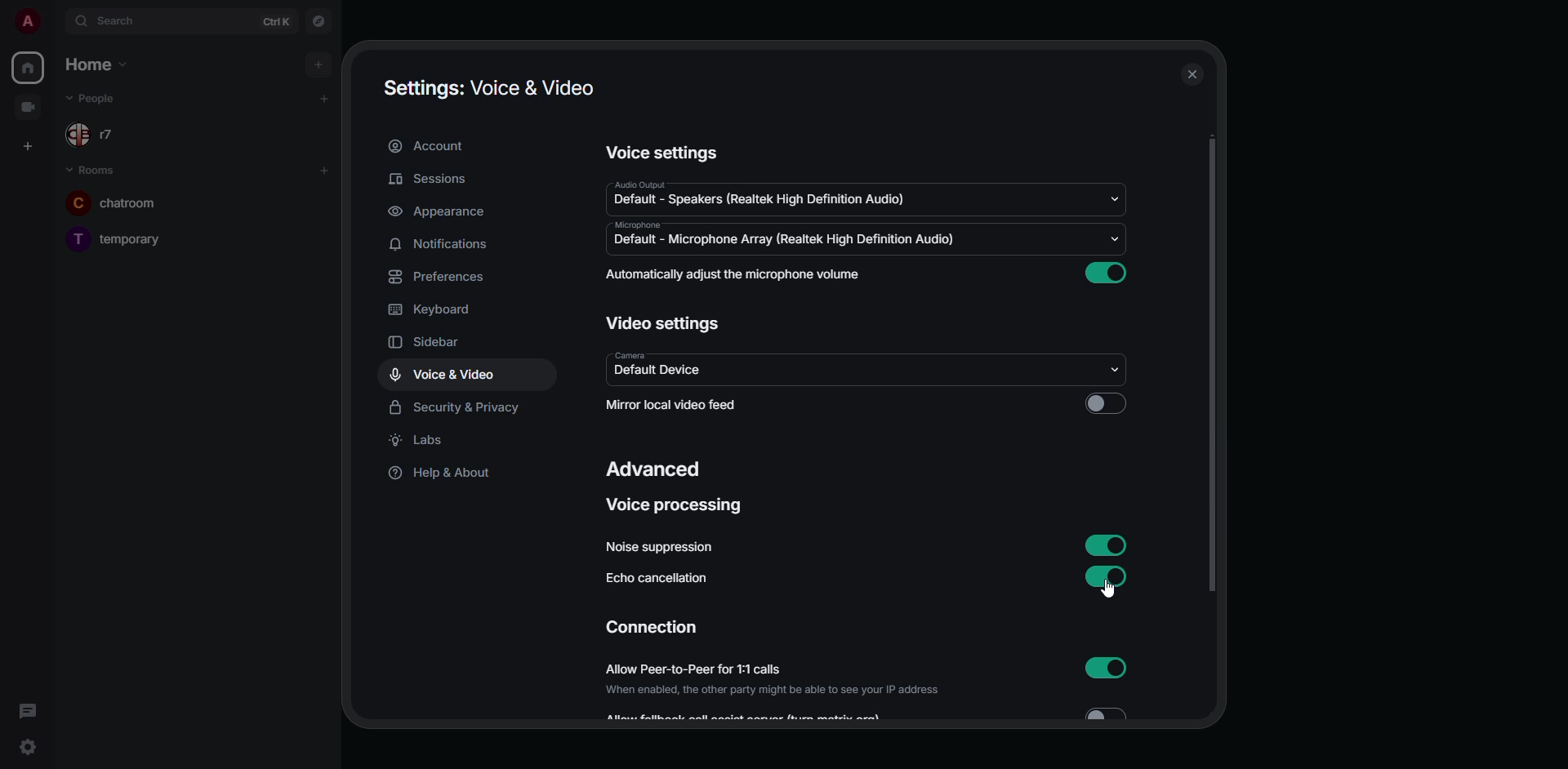  I want to click on cursor, so click(1109, 589).